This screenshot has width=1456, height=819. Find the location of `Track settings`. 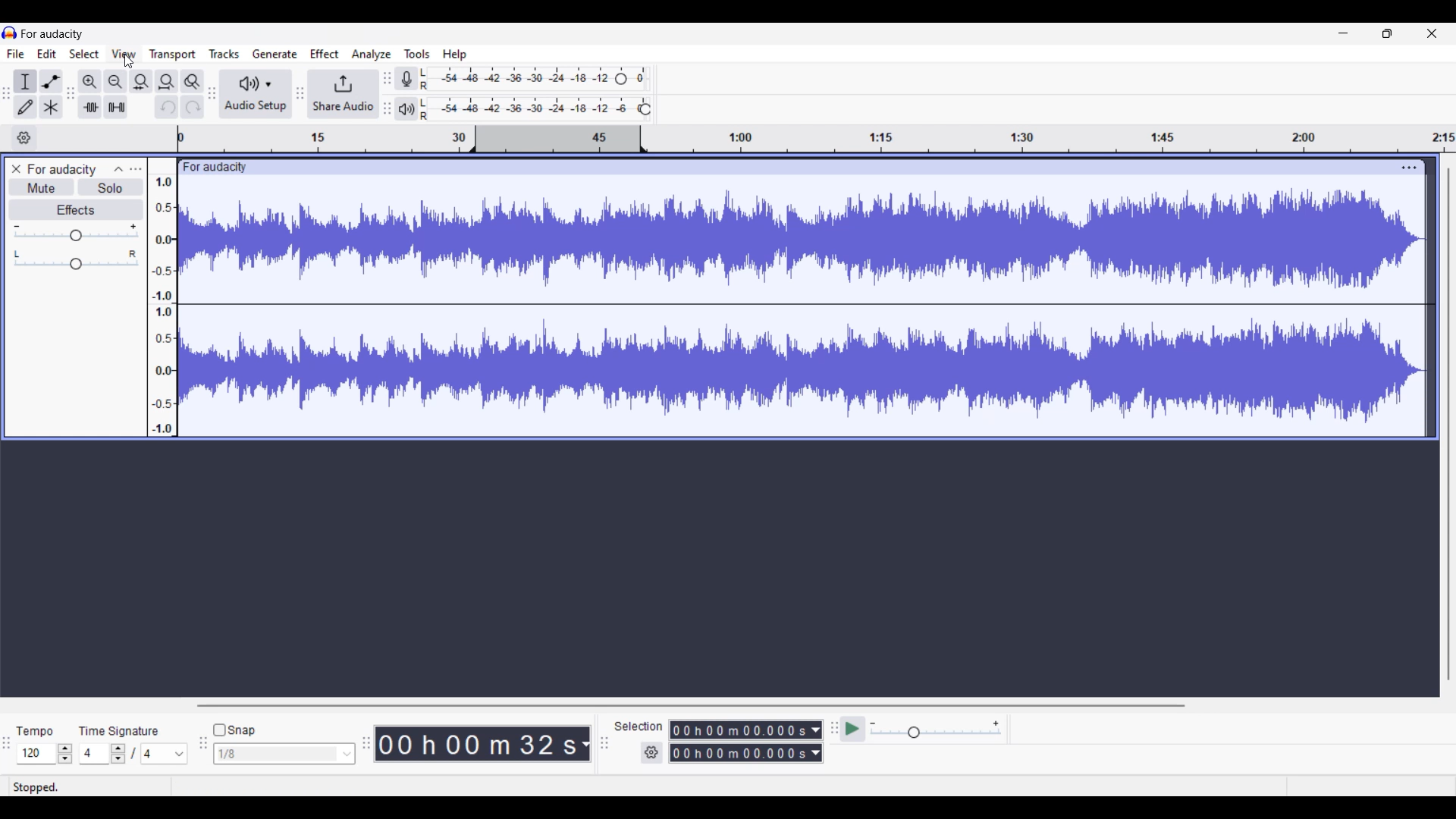

Track settings is located at coordinates (1410, 168).